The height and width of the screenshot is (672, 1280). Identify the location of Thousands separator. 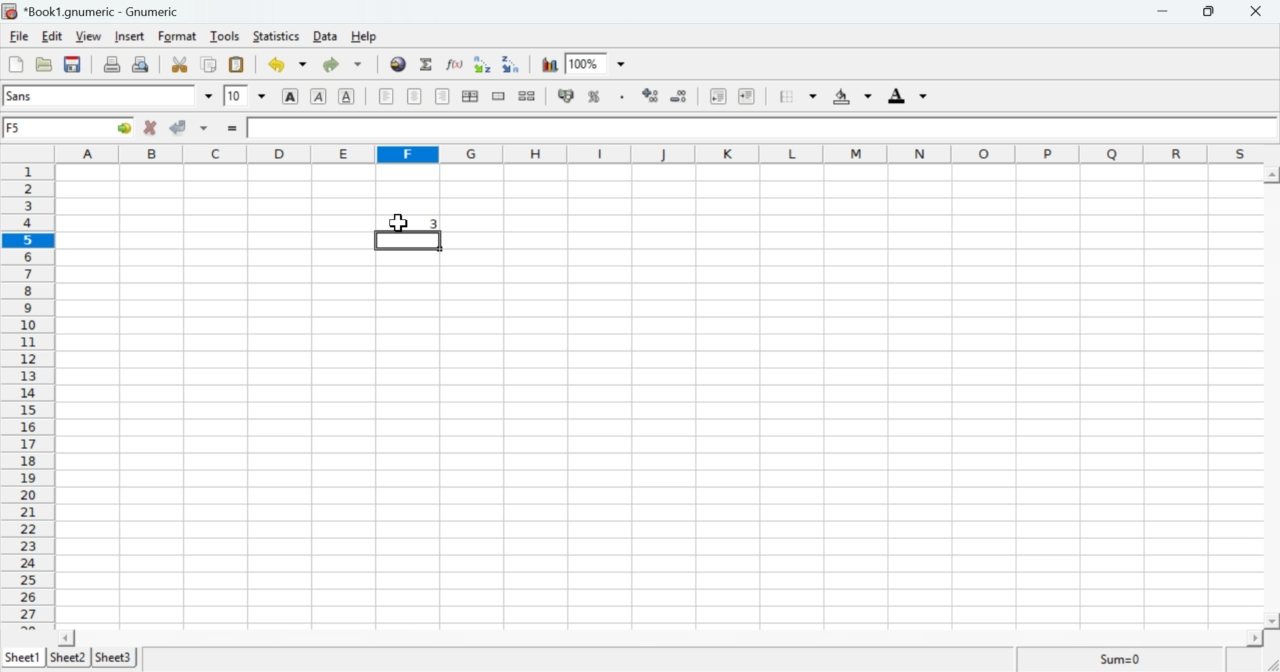
(620, 94).